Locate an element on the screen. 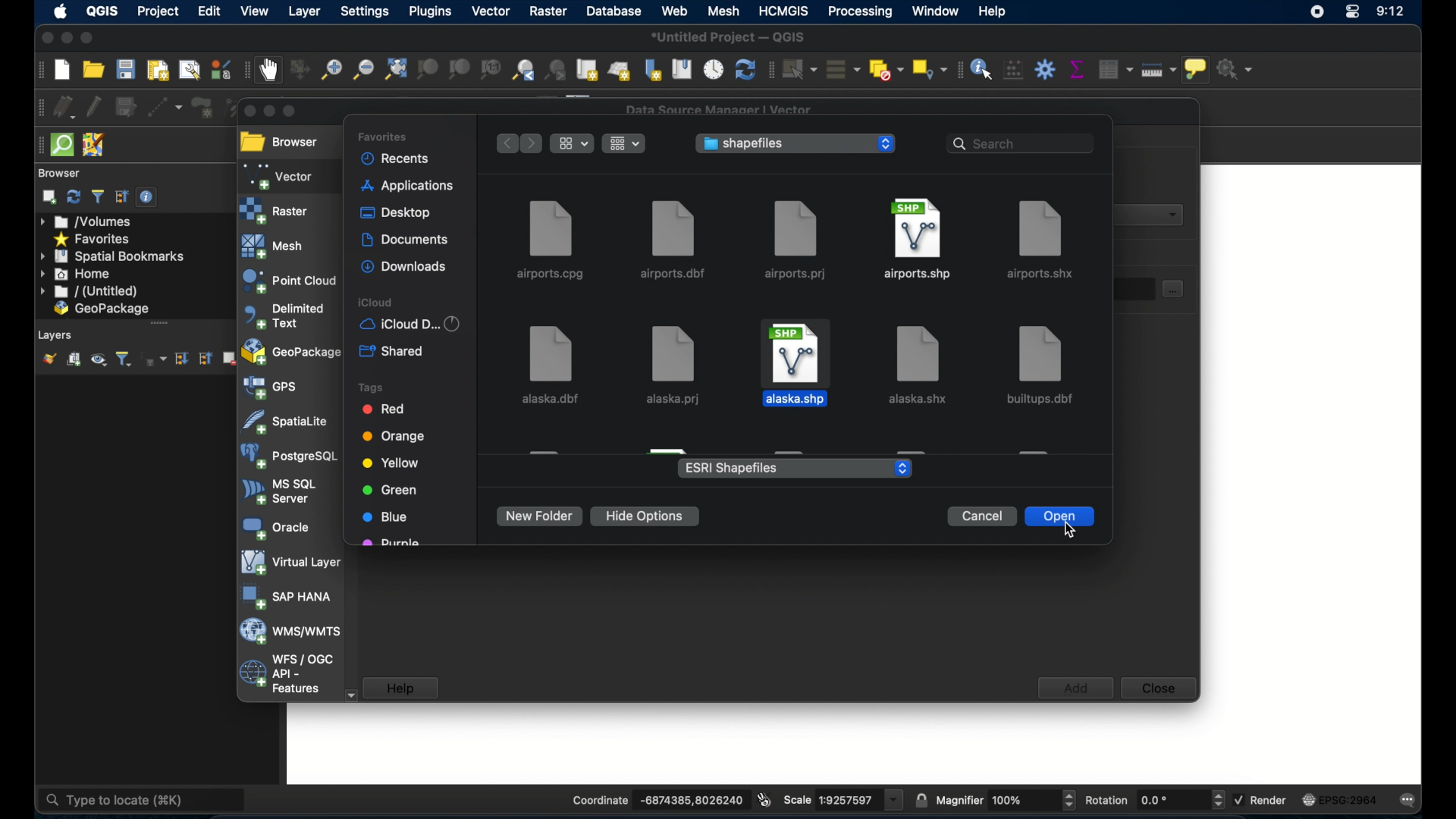 The image size is (1456, 819). mesh is located at coordinates (724, 11).